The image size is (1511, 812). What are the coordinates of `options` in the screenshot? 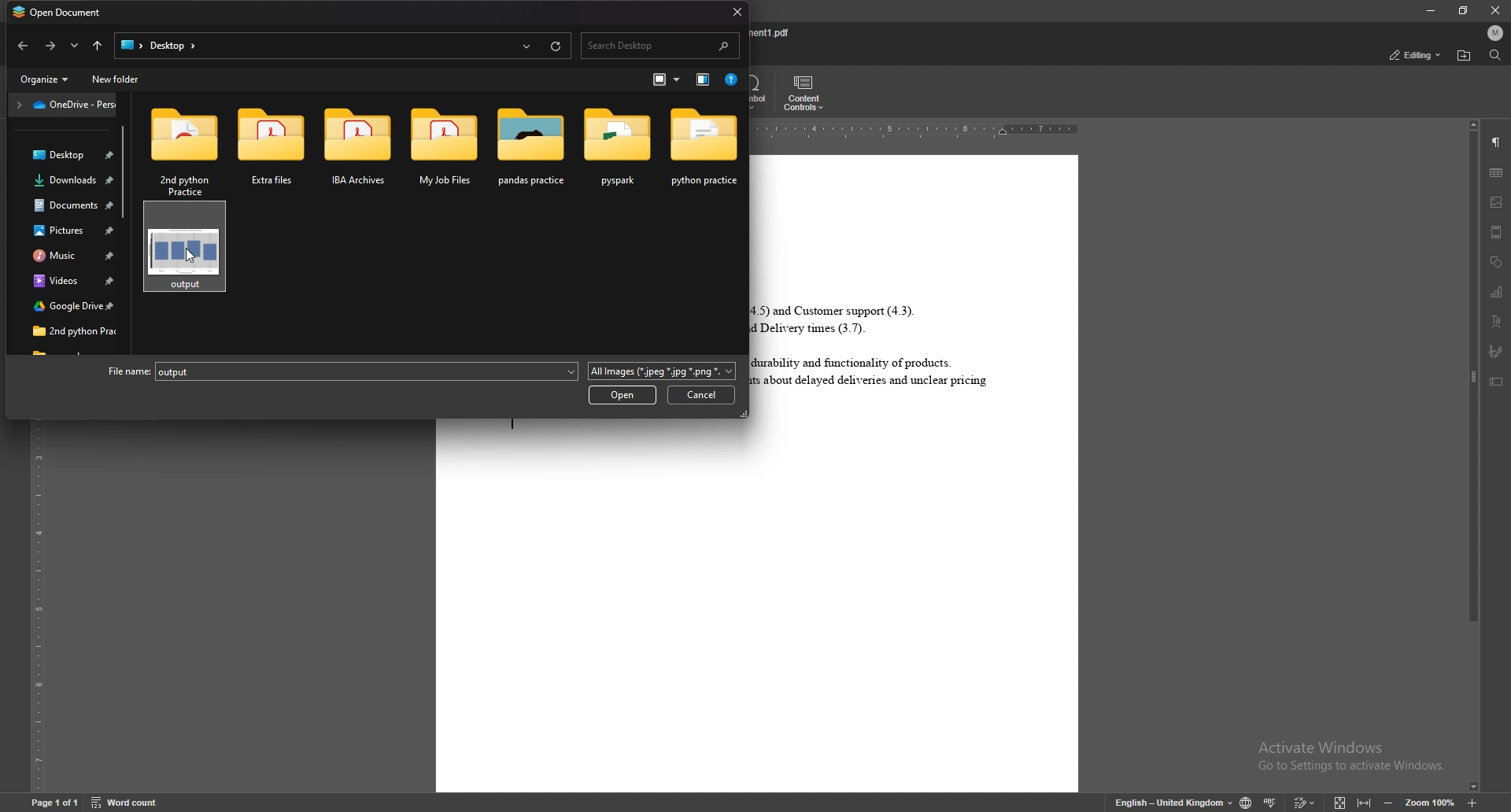 It's located at (73, 46).